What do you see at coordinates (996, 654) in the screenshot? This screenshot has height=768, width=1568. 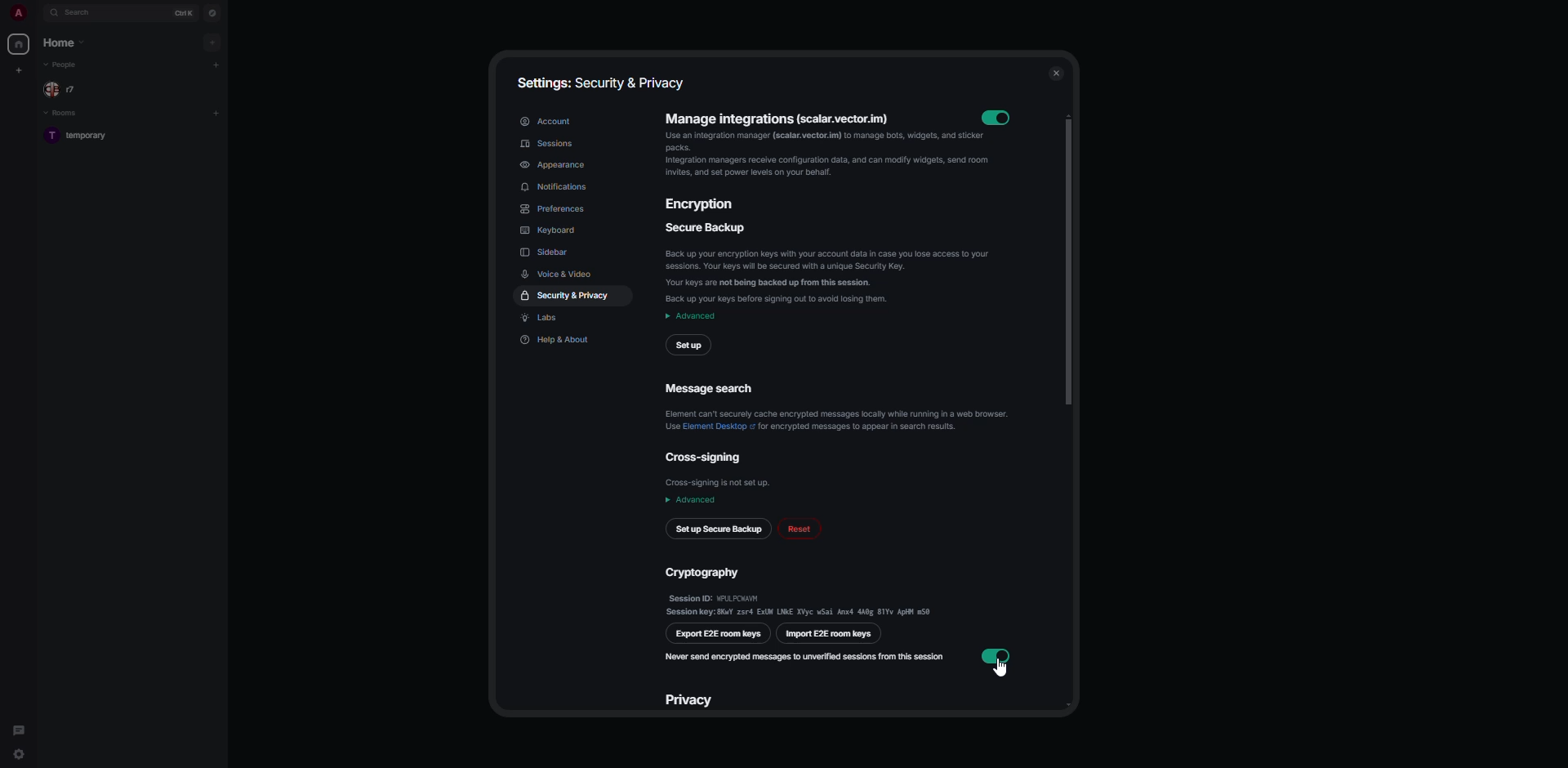 I see `enabled` at bounding box center [996, 654].